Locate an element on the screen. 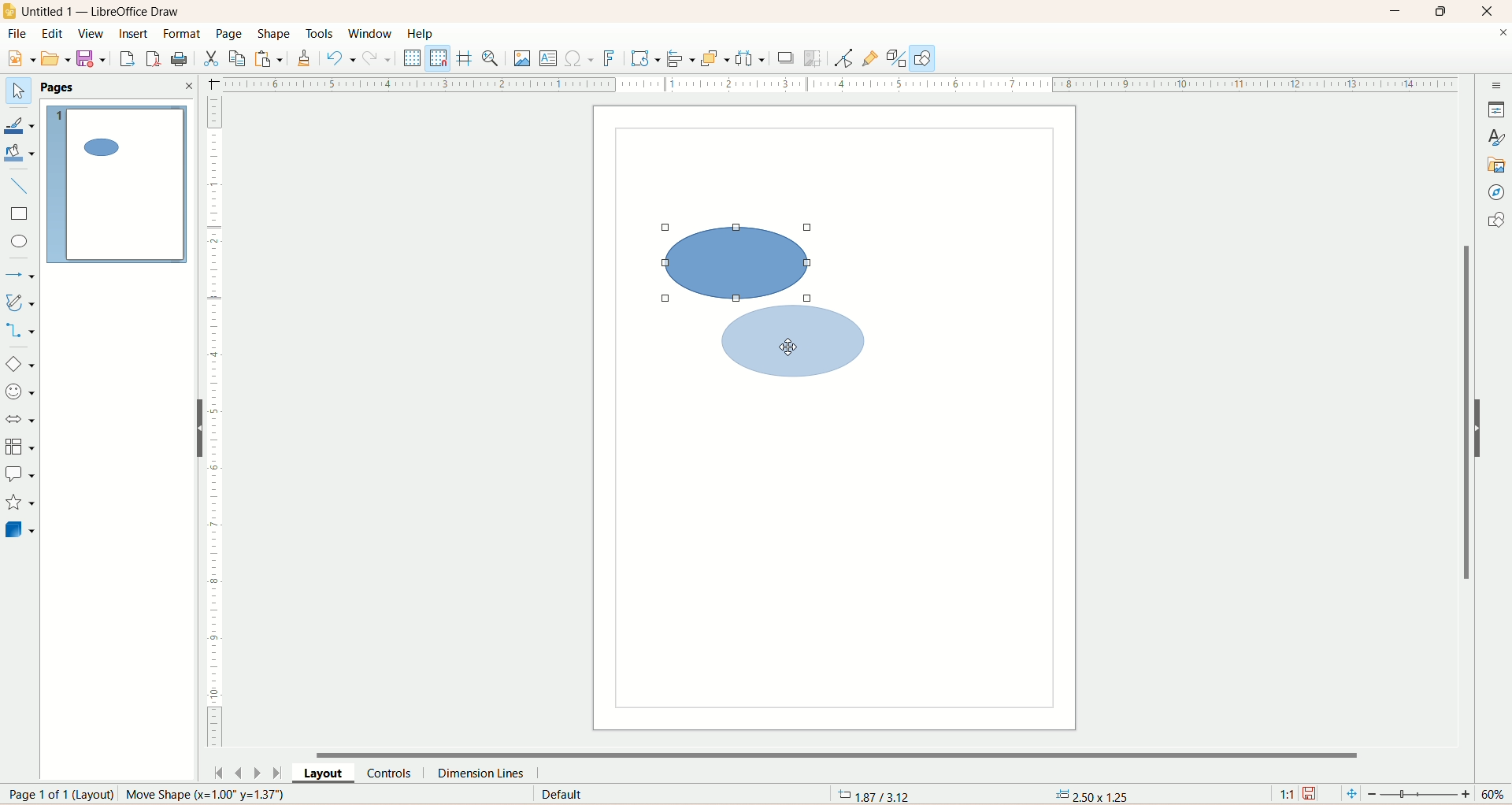 The width and height of the screenshot is (1512, 805). curve and polygon is located at coordinates (20, 302).